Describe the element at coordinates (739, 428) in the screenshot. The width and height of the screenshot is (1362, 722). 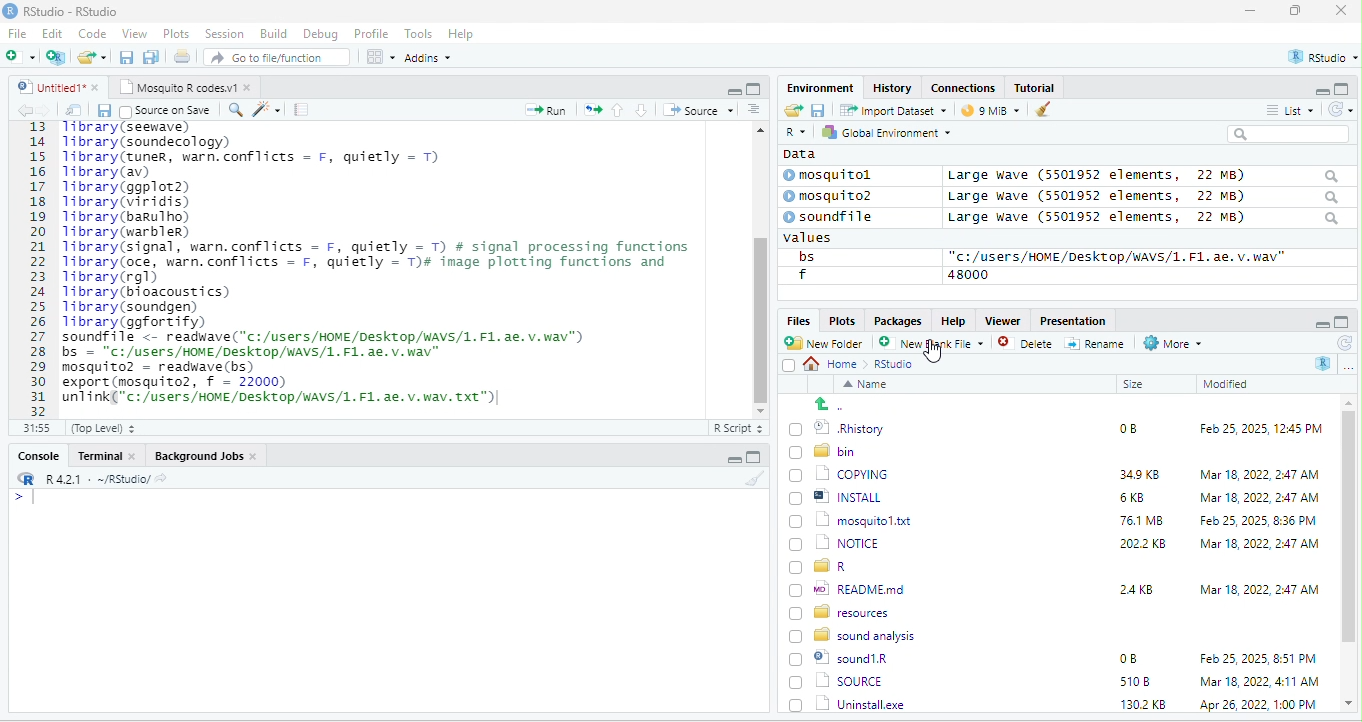
I see `R Script 5` at that location.